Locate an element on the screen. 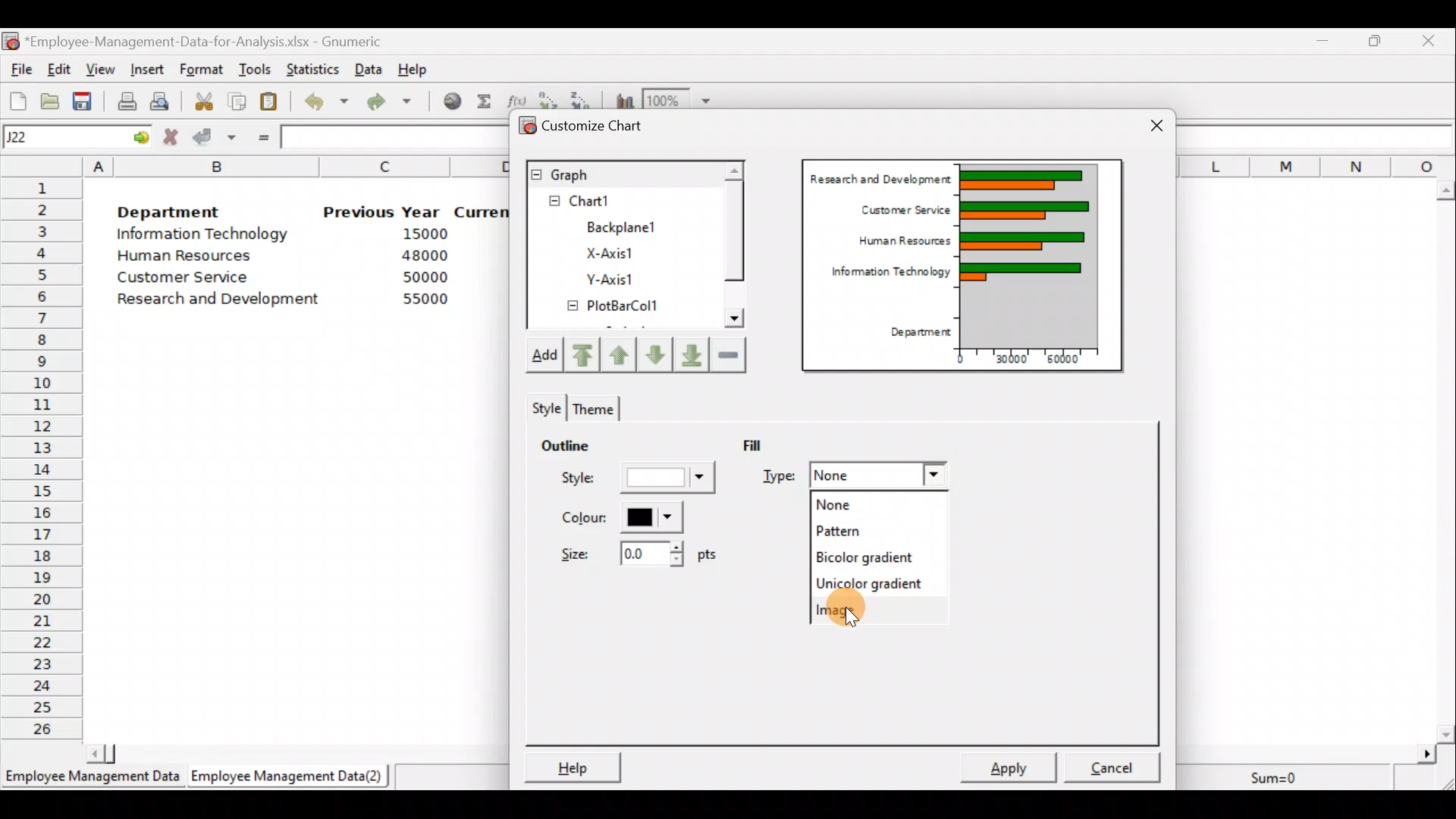 This screenshot has height=819, width=1456. Information Technology is located at coordinates (203, 237).